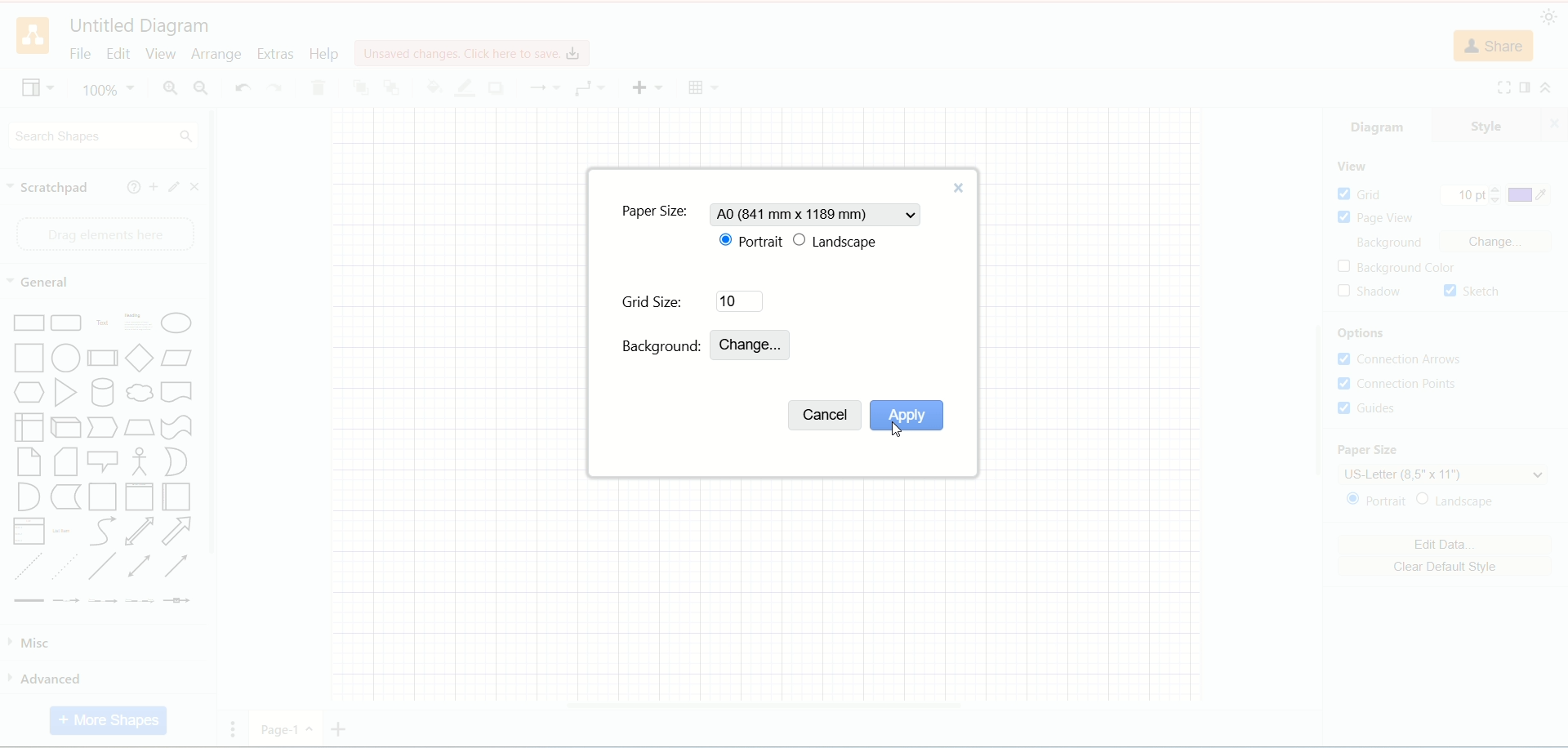 Image resolution: width=1568 pixels, height=748 pixels. What do you see at coordinates (1366, 451) in the screenshot?
I see `paper size` at bounding box center [1366, 451].